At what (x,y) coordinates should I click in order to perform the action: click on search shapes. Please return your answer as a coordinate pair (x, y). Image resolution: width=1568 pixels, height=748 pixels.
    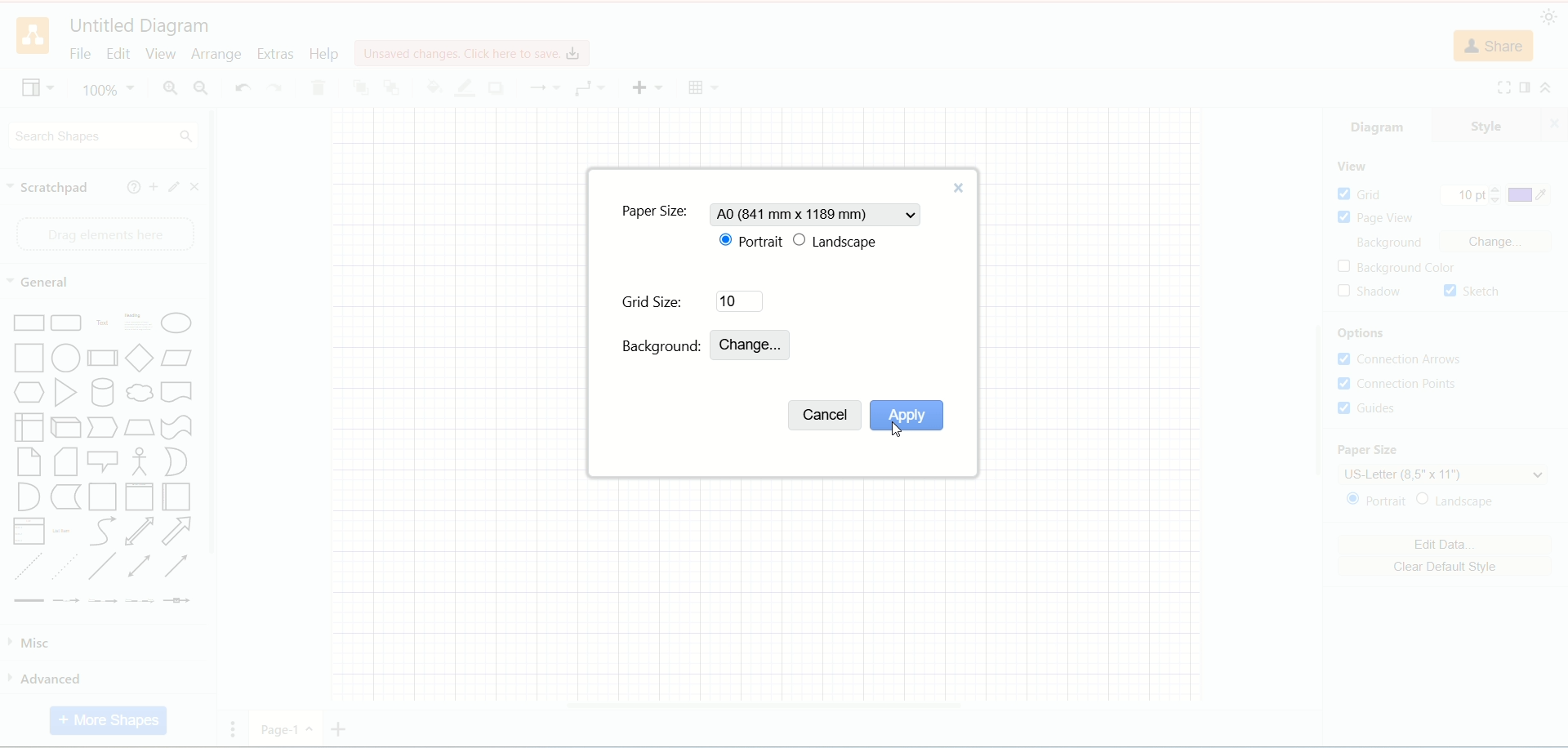
    Looking at the image, I should click on (103, 135).